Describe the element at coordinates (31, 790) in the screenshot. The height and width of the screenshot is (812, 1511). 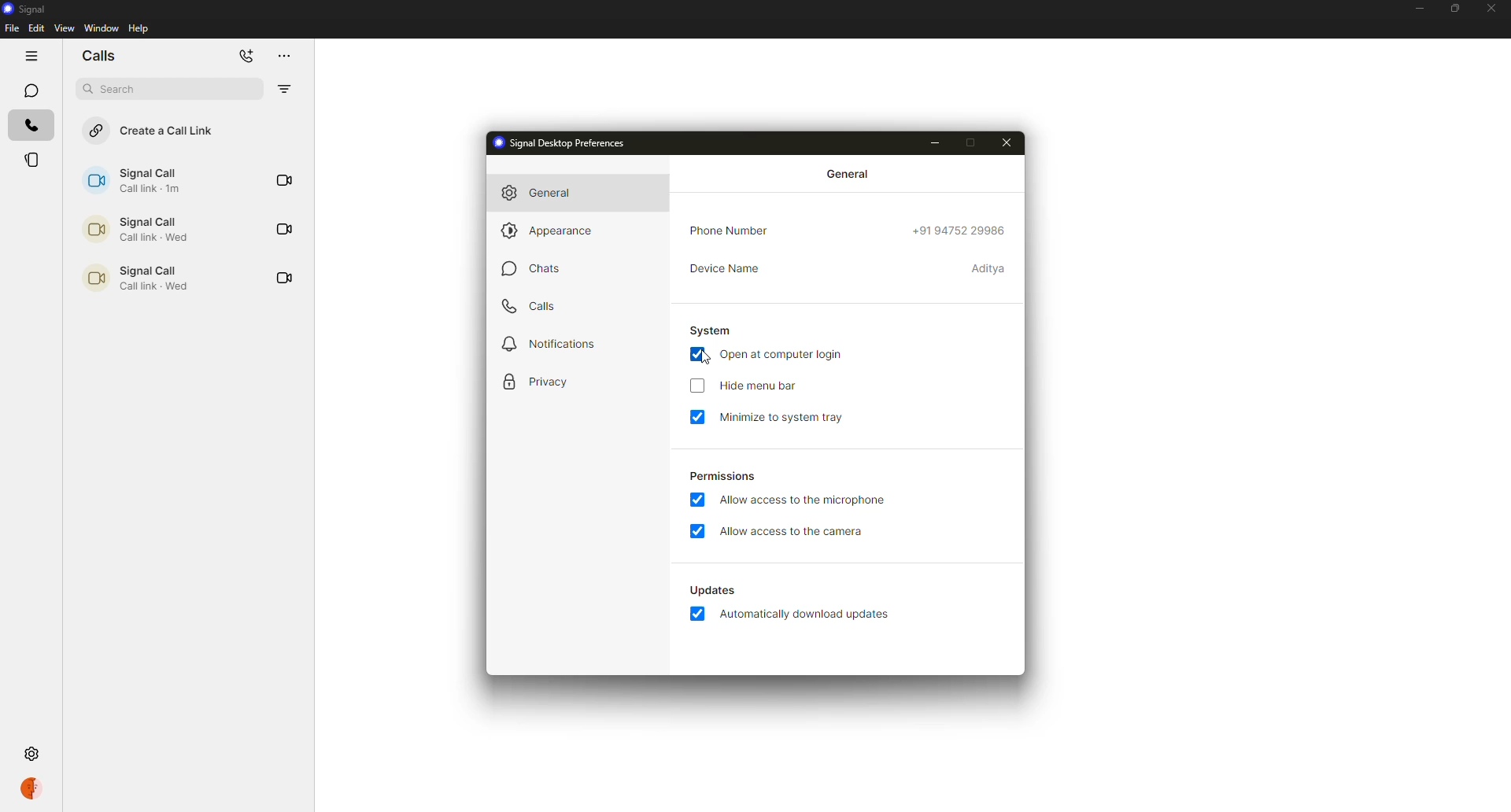
I see `profile` at that location.